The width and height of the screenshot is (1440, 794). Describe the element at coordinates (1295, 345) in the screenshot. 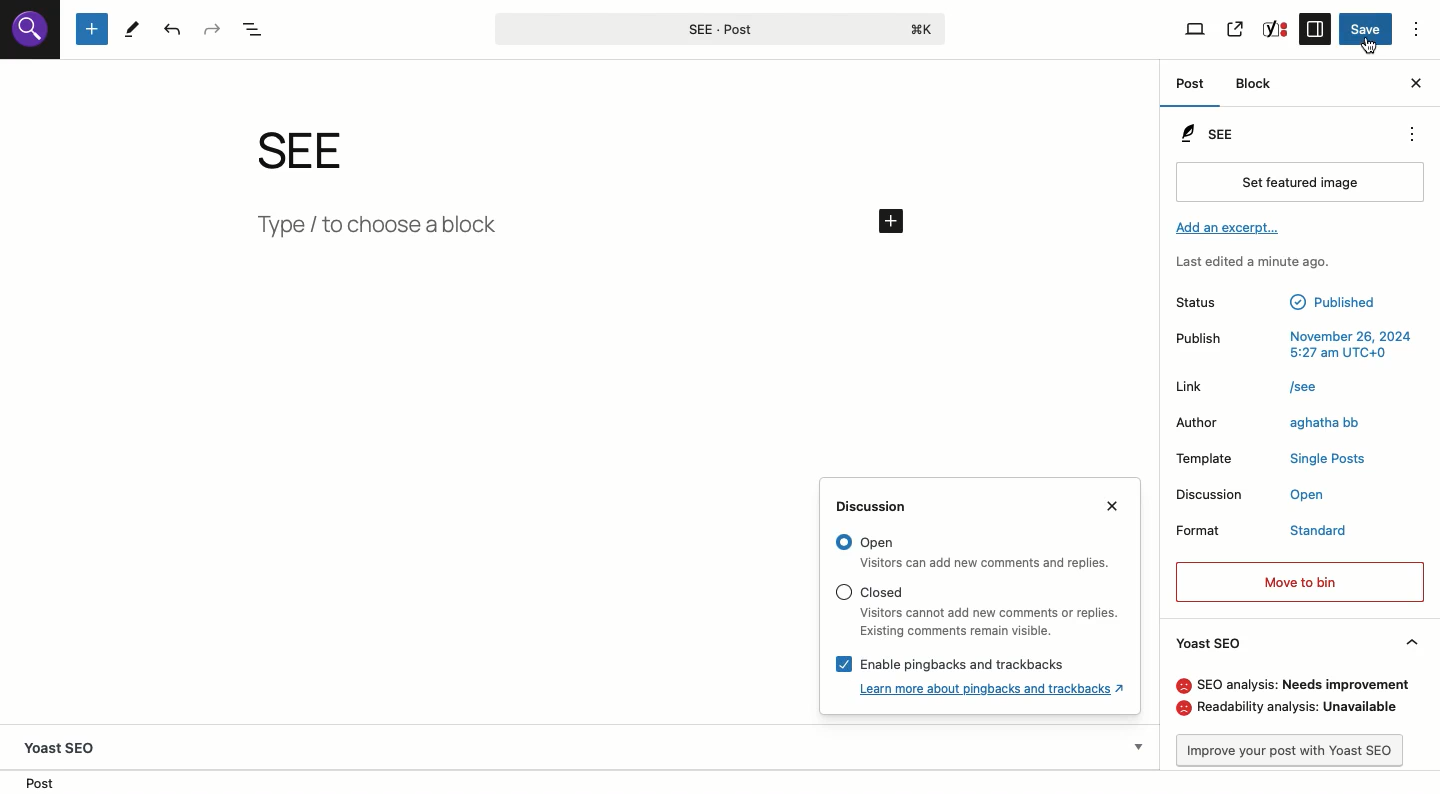

I see `Publish november 26, 2025 5:27am UTC+0` at that location.